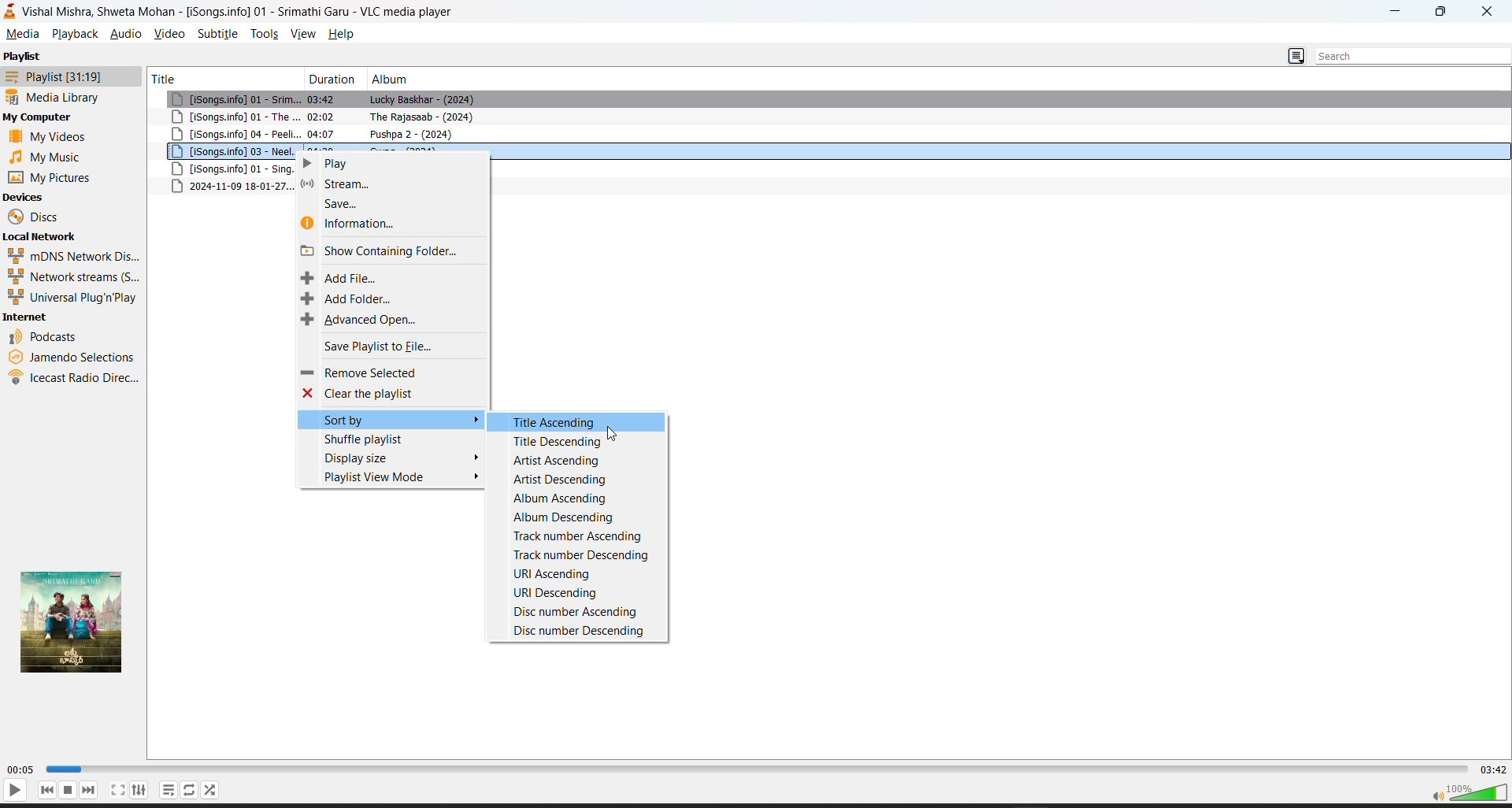 The height and width of the screenshot is (808, 1512). Describe the element at coordinates (1468, 791) in the screenshot. I see `volume` at that location.